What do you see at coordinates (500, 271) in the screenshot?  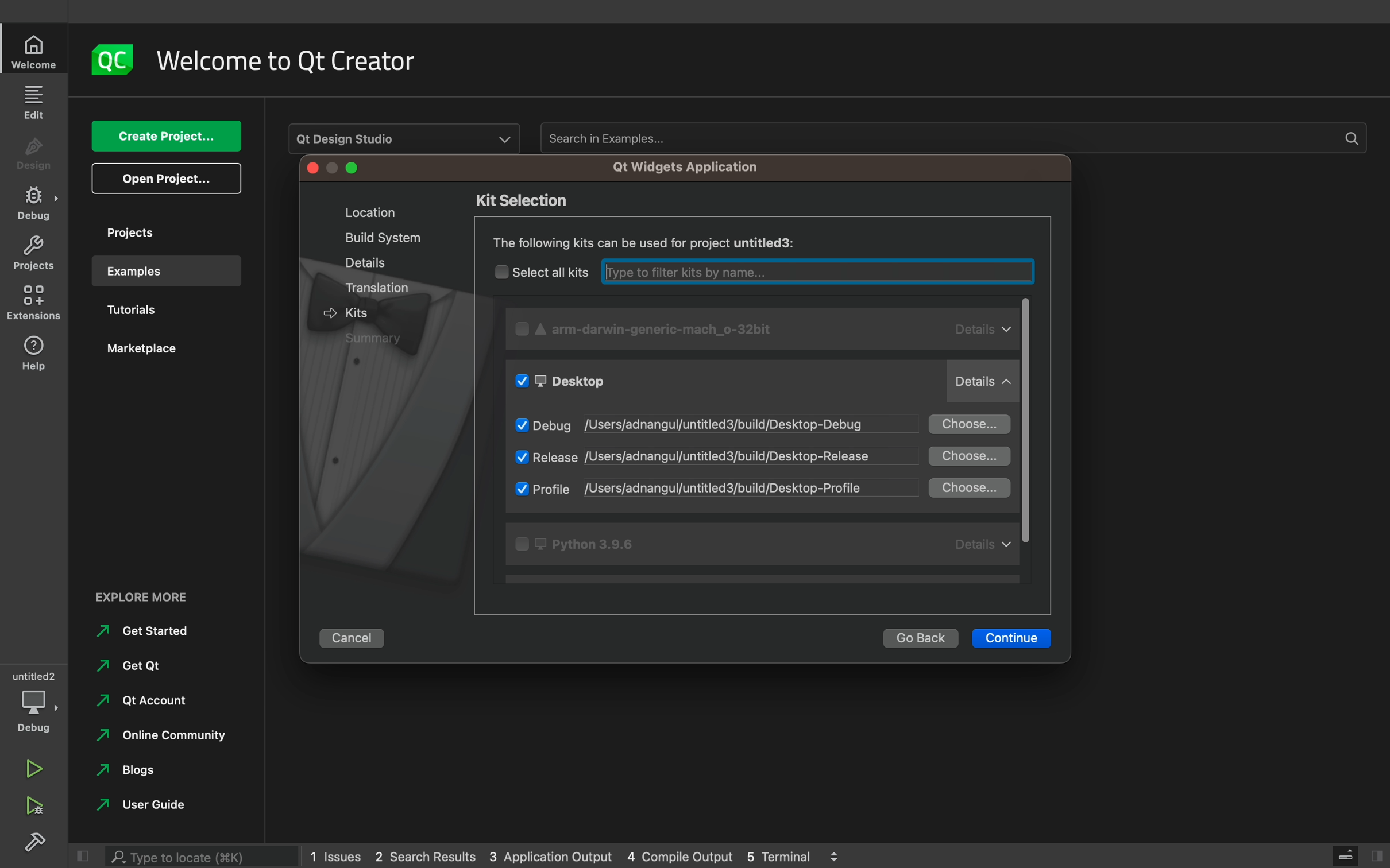 I see `check  button` at bounding box center [500, 271].